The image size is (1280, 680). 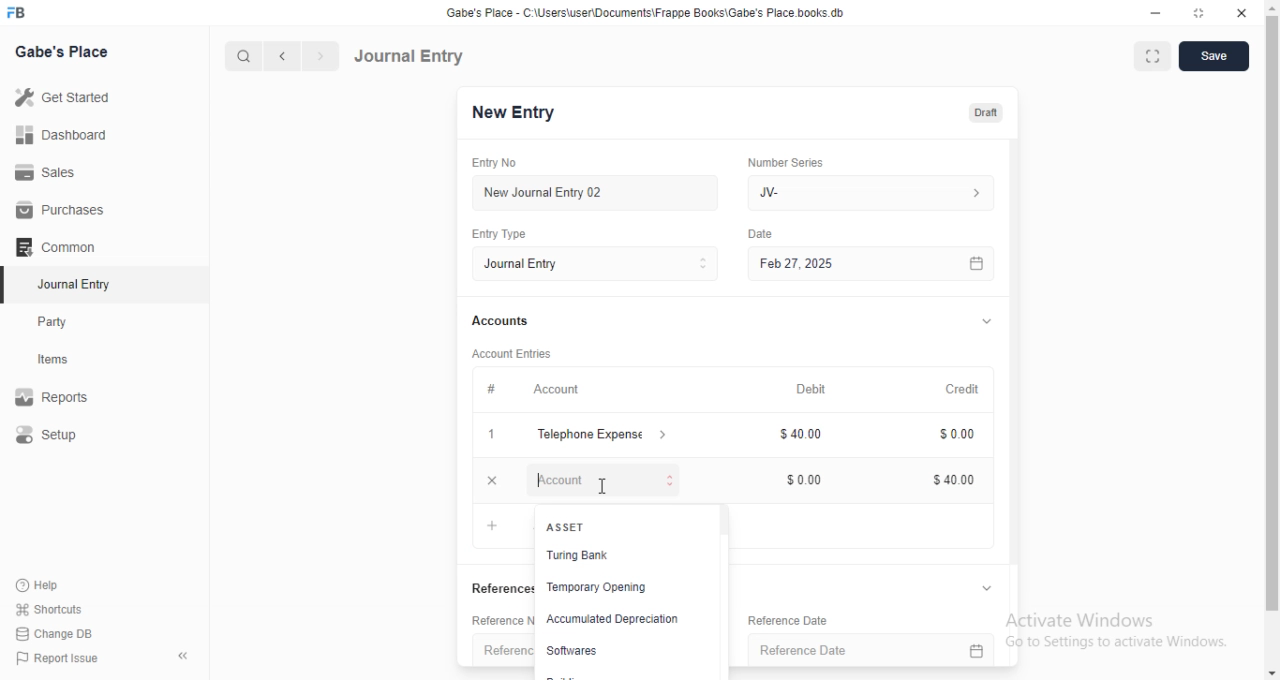 I want to click on Close, so click(x=1243, y=13).